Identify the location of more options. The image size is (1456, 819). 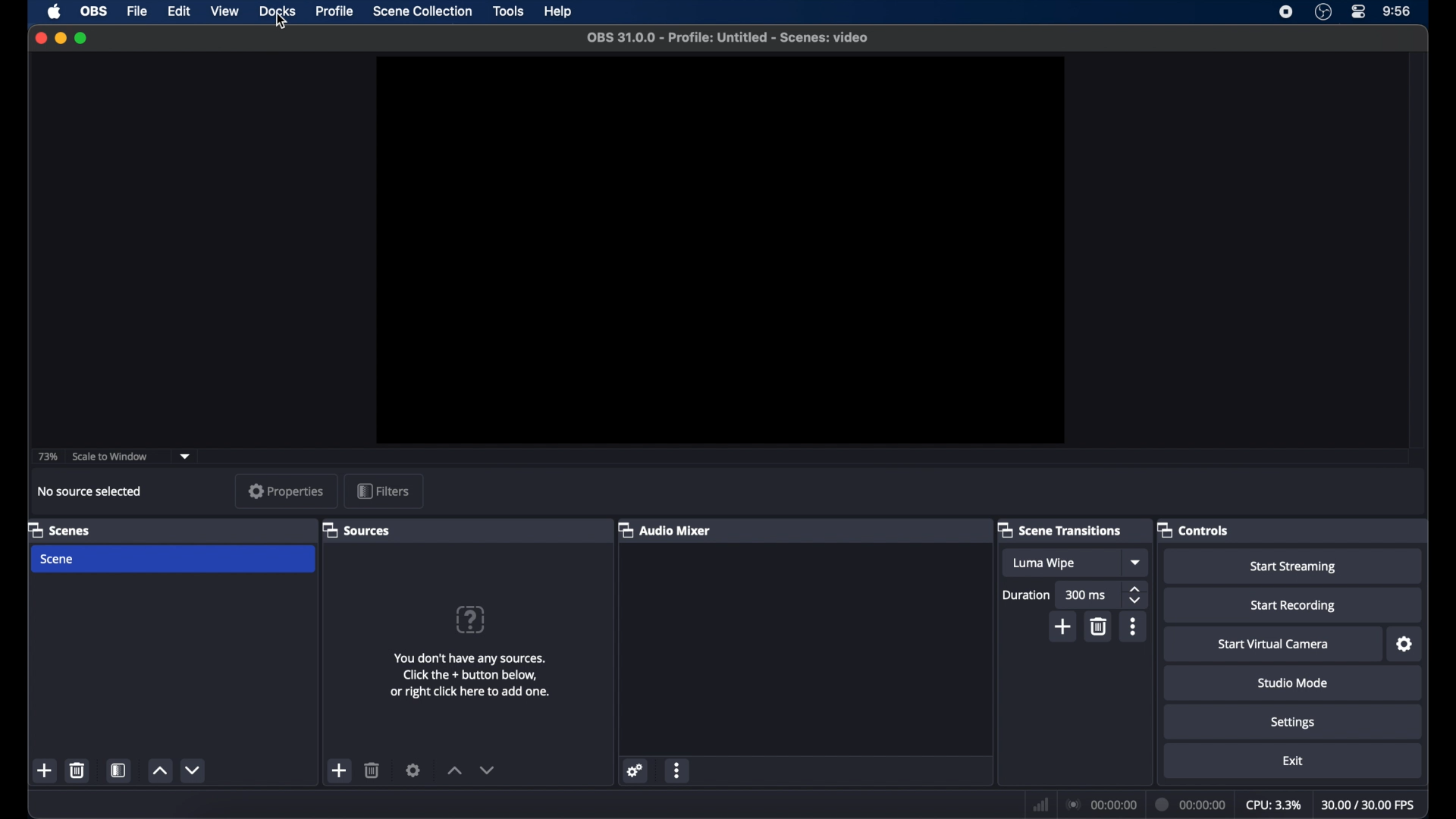
(1133, 626).